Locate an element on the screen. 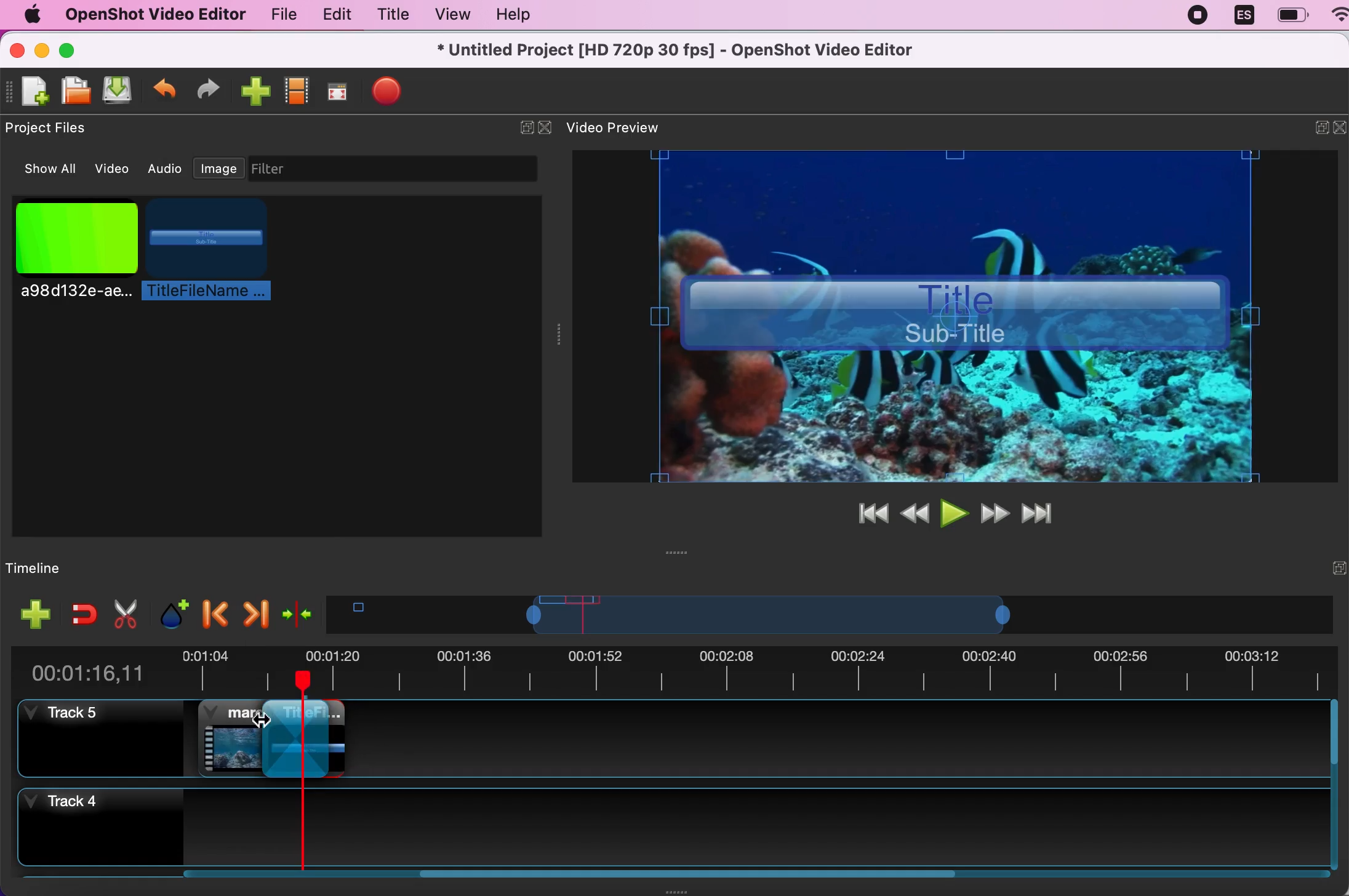 The height and width of the screenshot is (896, 1349). enable snapping is located at coordinates (79, 614).